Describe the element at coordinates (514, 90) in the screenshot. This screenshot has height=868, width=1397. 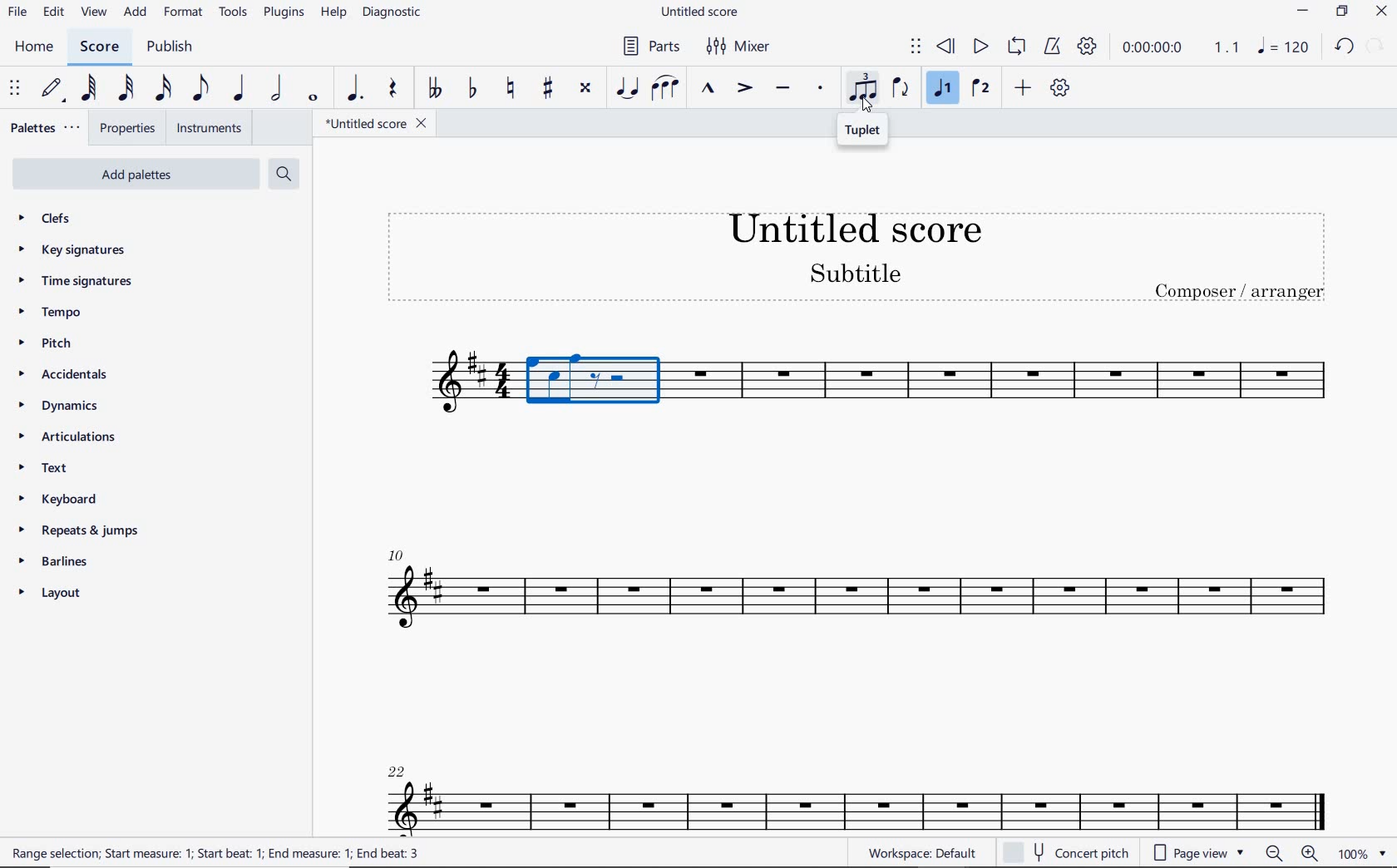
I see `TOGGLE NATURAL` at that location.